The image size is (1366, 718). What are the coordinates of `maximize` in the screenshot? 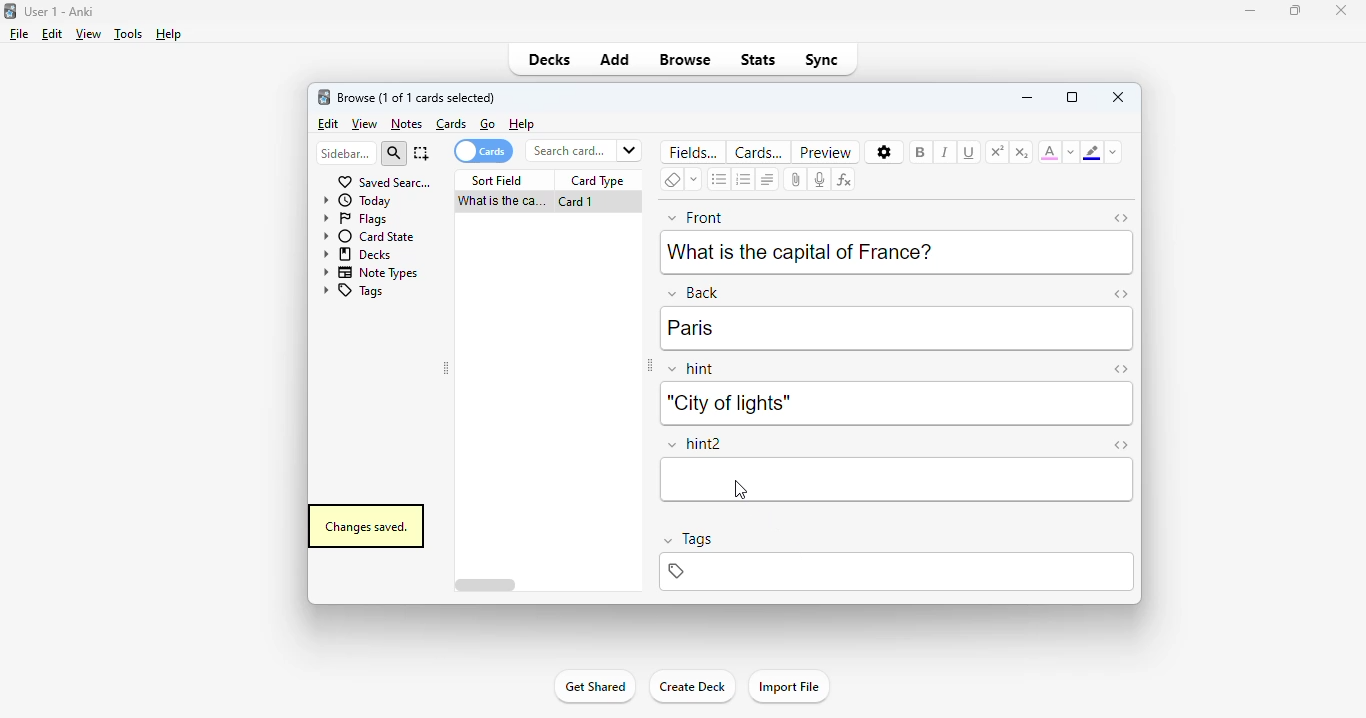 It's located at (1072, 97).